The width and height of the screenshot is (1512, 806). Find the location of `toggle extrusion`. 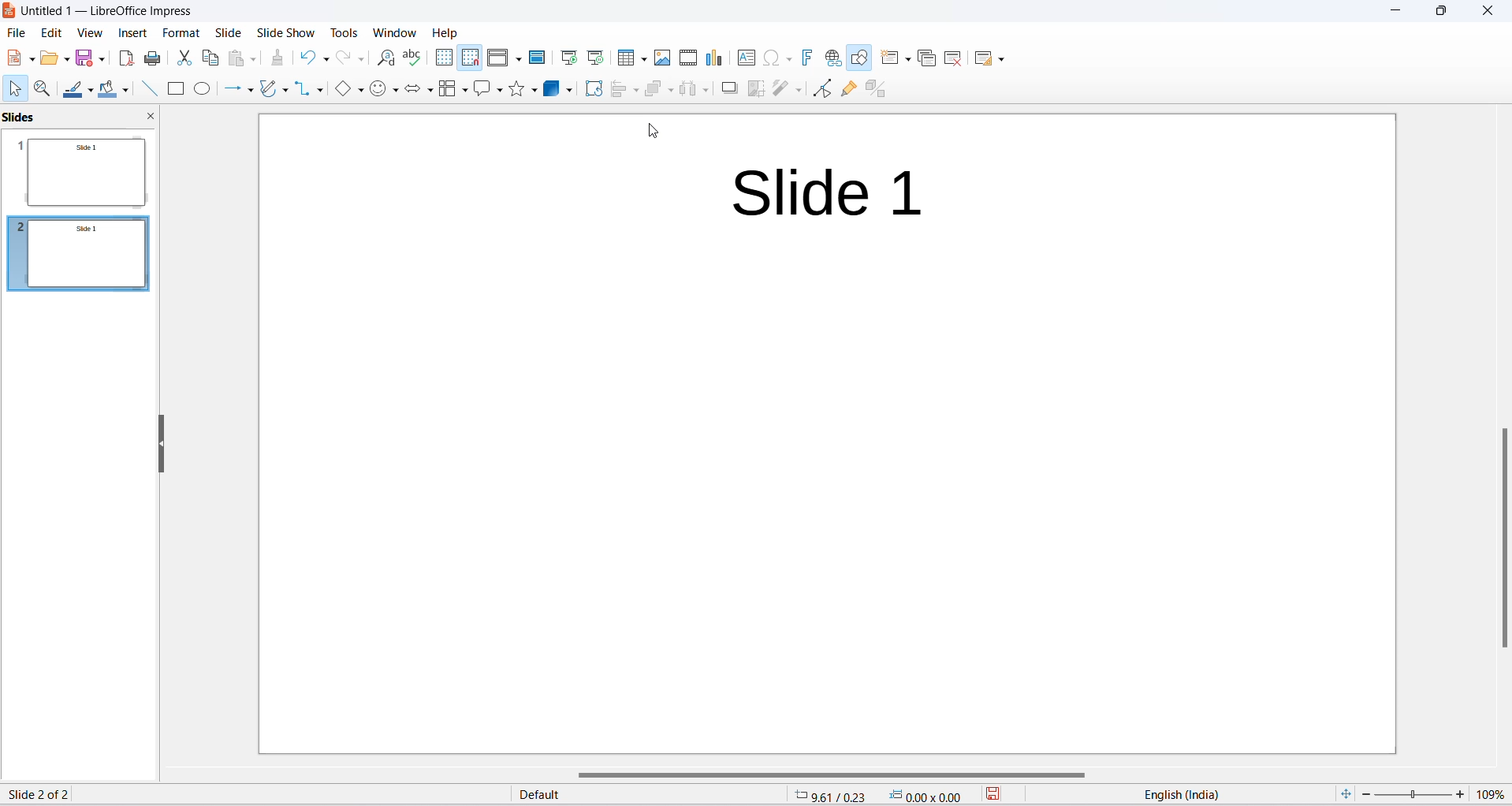

toggle extrusion is located at coordinates (885, 88).